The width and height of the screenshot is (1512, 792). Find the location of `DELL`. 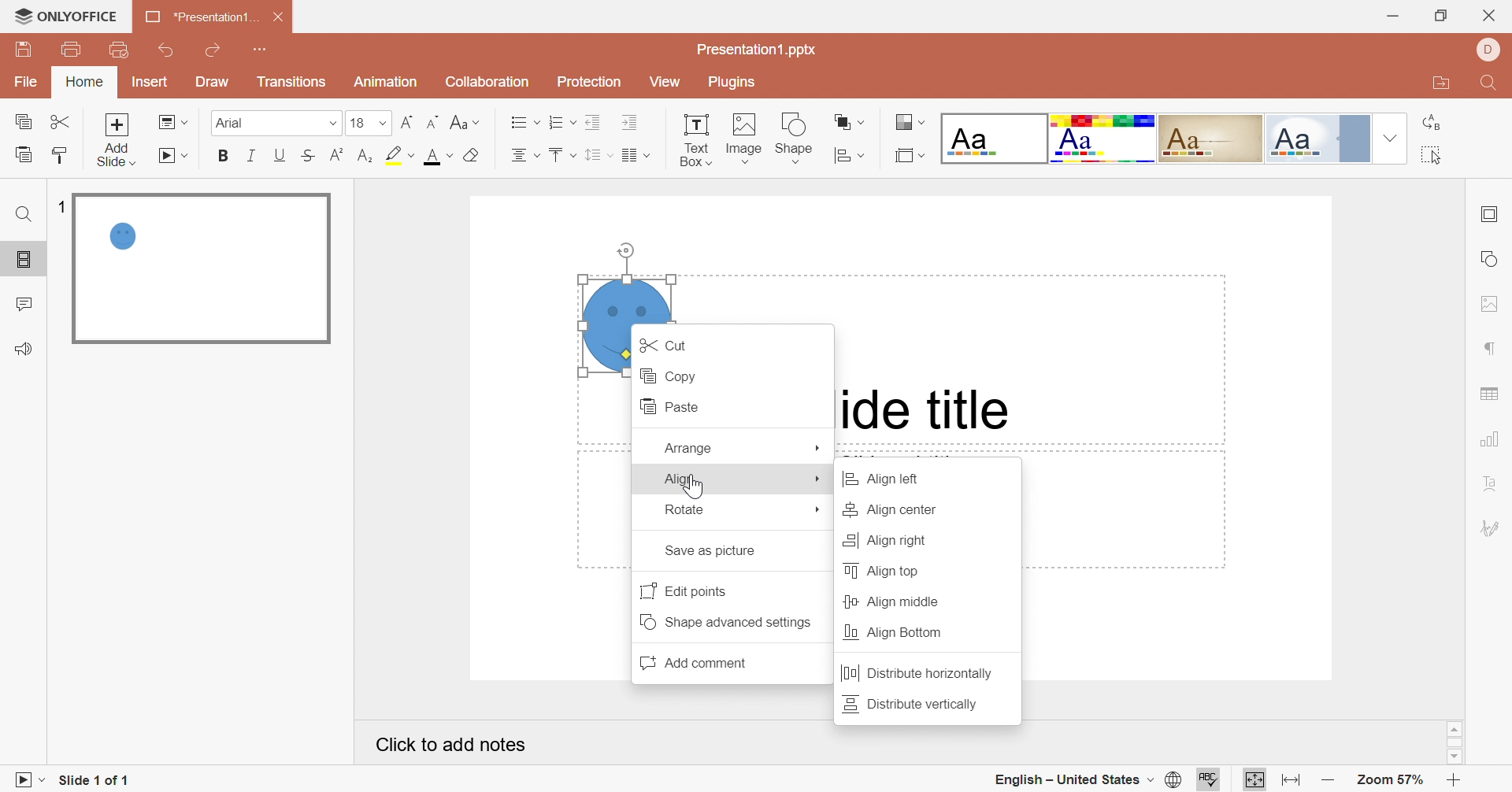

DELL is located at coordinates (1487, 49).